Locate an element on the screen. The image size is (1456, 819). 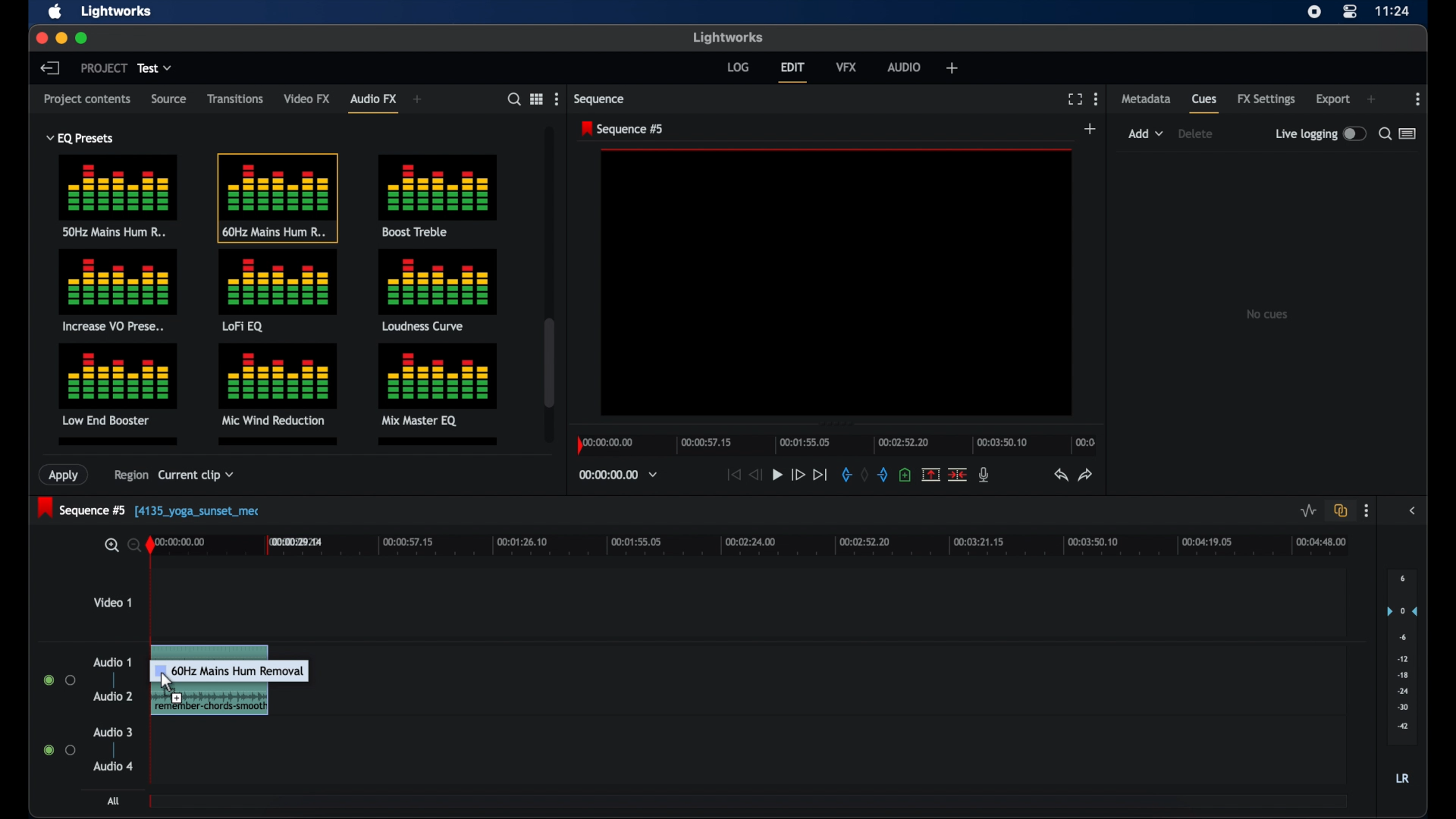
mic is located at coordinates (984, 475).